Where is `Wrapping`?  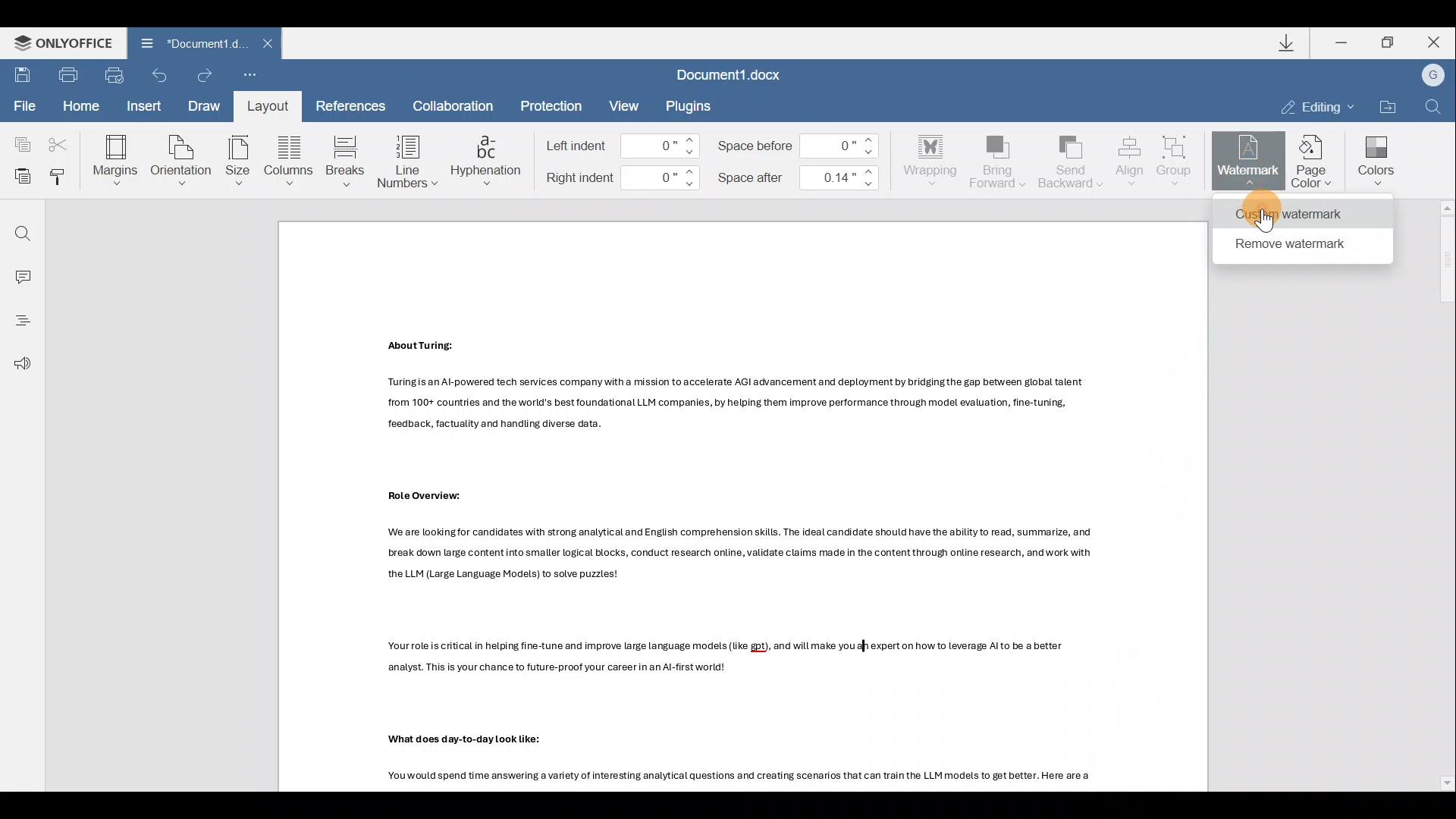 Wrapping is located at coordinates (927, 161).